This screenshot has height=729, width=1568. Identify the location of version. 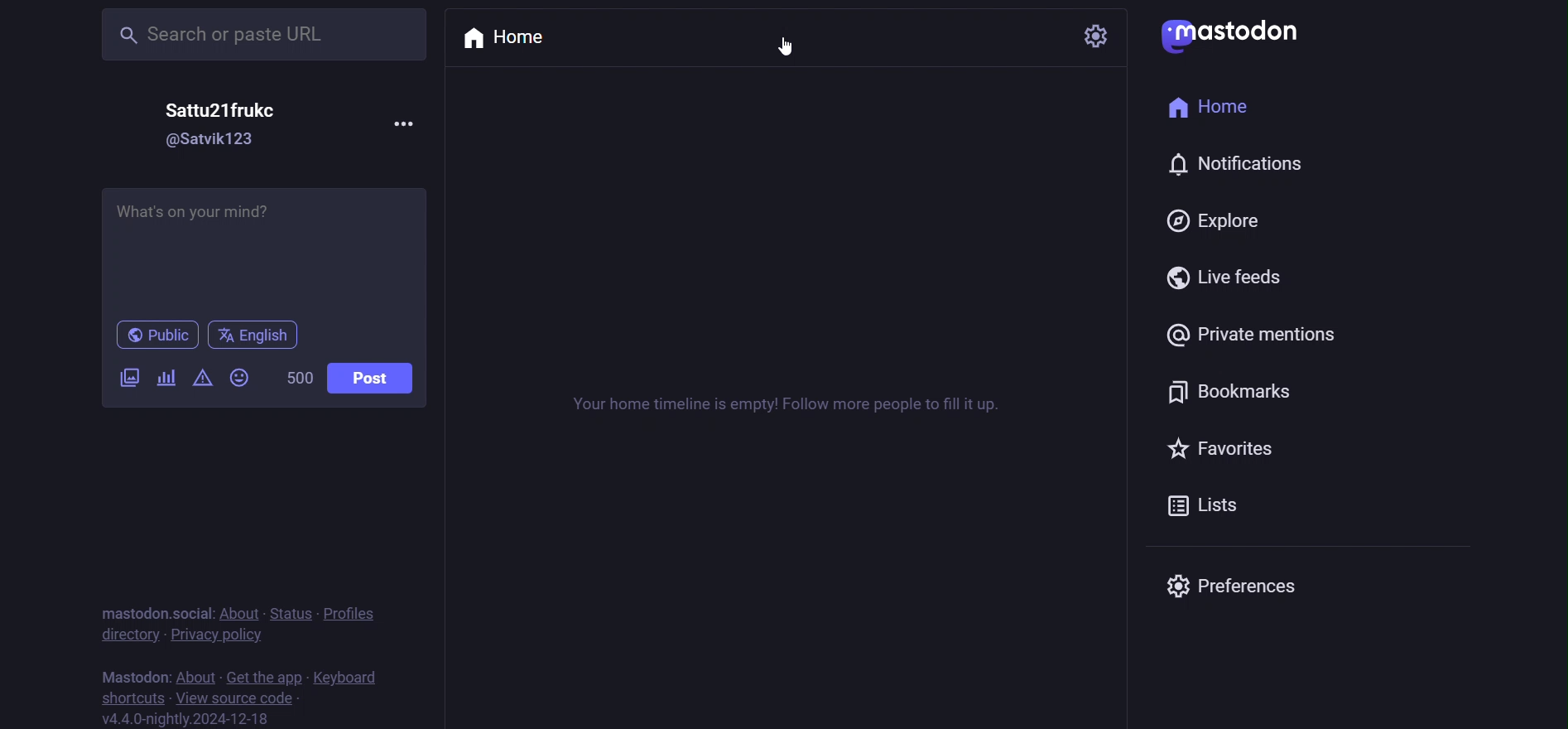
(185, 718).